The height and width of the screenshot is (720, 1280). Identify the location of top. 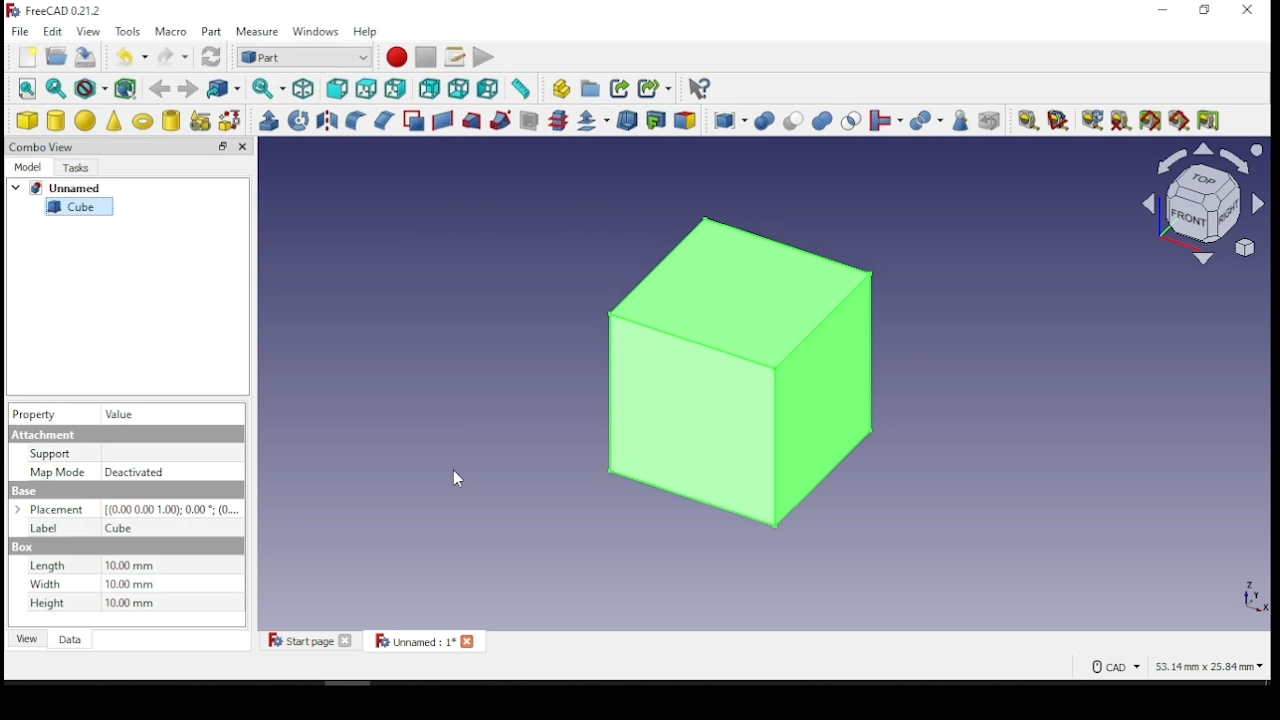
(369, 89).